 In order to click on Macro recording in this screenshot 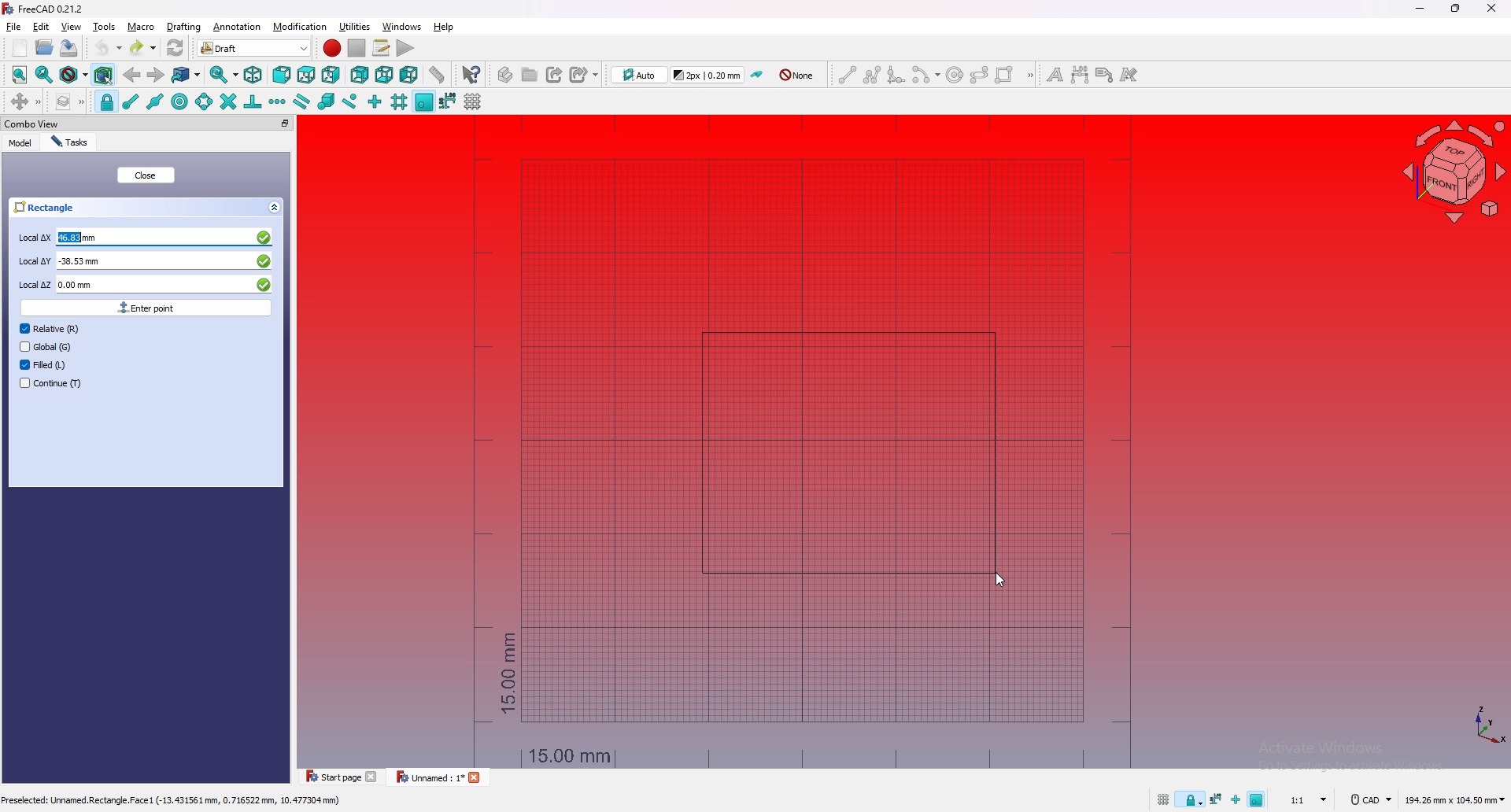, I will do `click(332, 48)`.